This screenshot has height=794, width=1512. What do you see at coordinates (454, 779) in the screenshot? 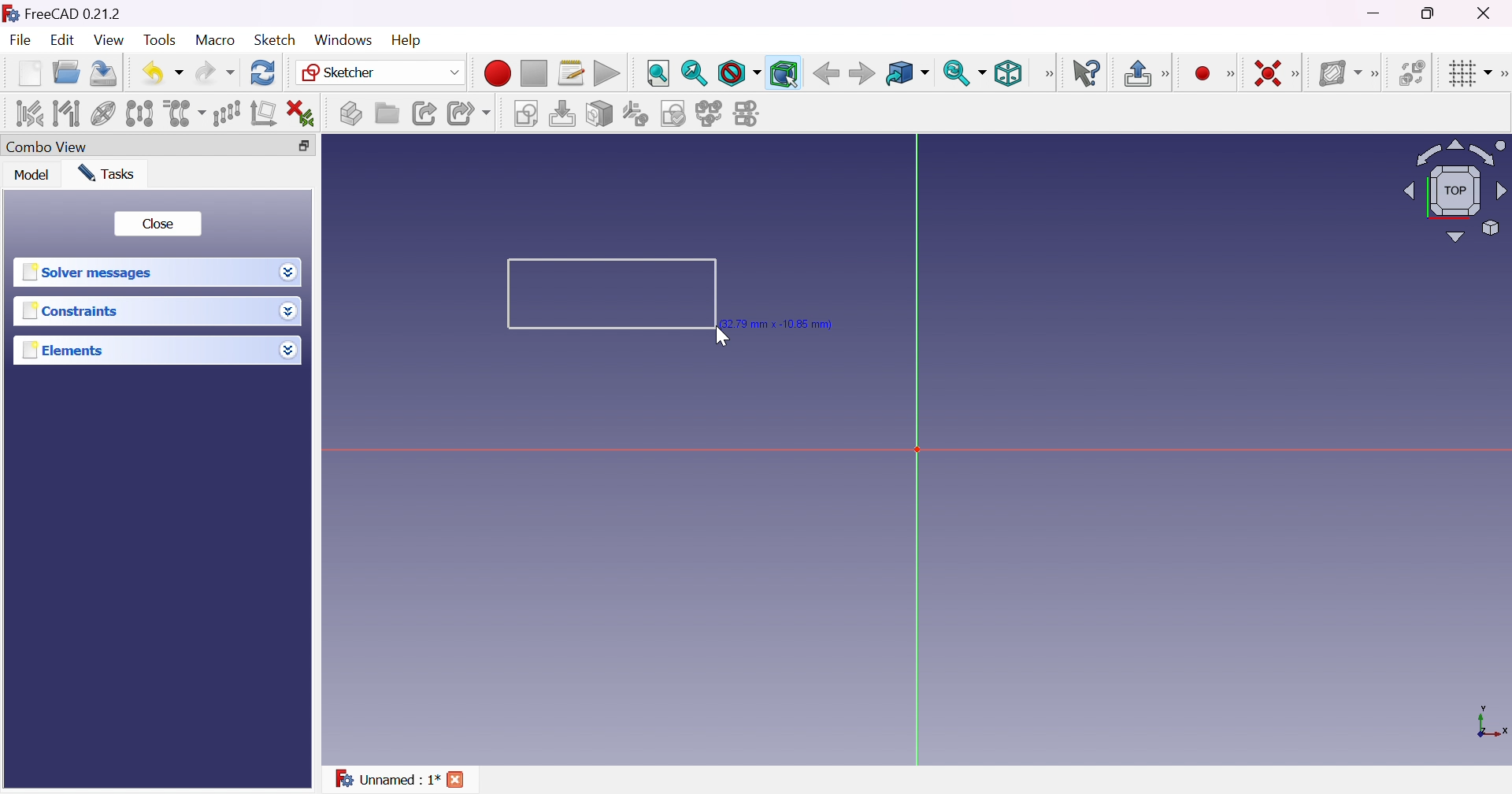
I see `Cross` at bounding box center [454, 779].